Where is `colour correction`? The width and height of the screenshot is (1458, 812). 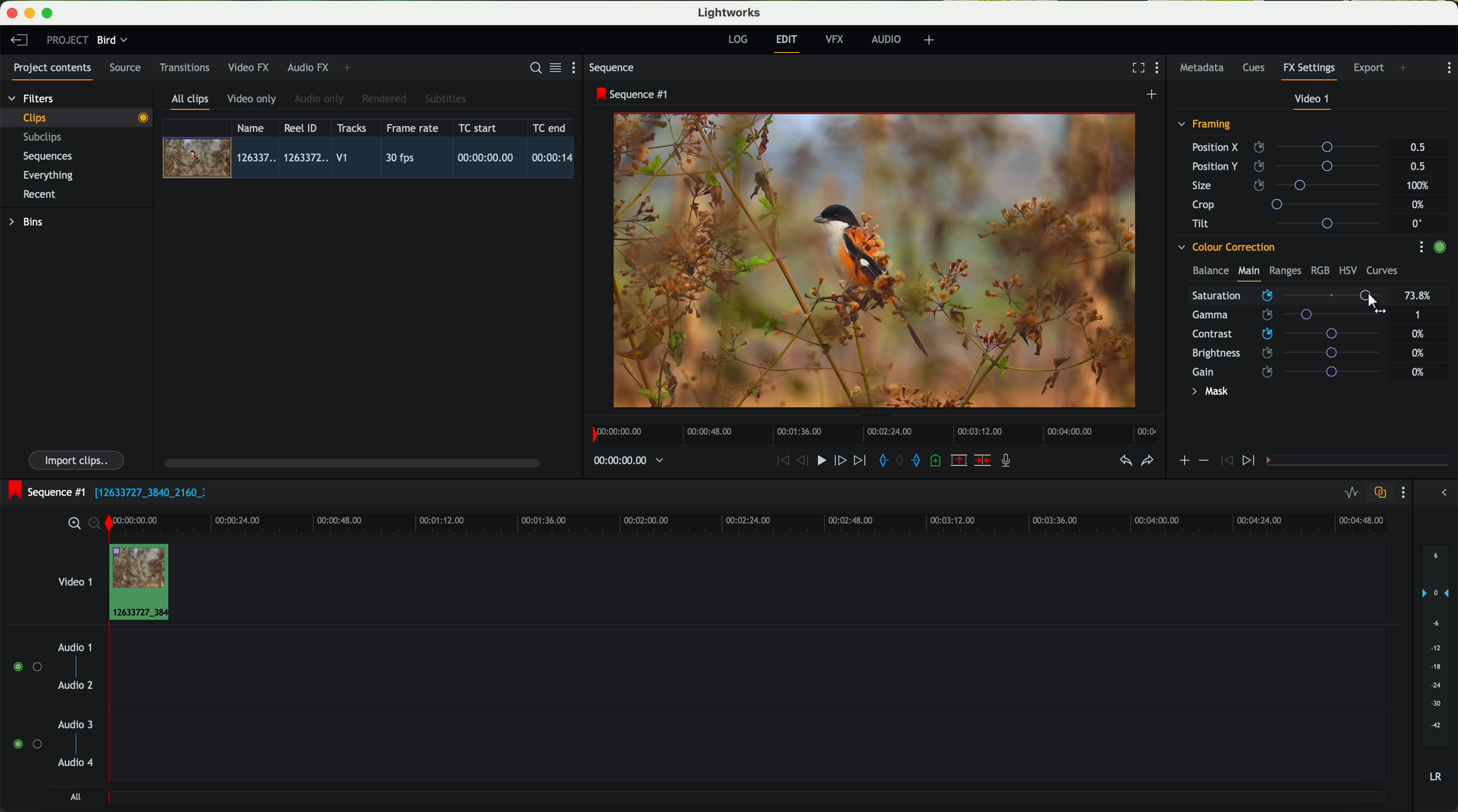 colour correction is located at coordinates (1225, 247).